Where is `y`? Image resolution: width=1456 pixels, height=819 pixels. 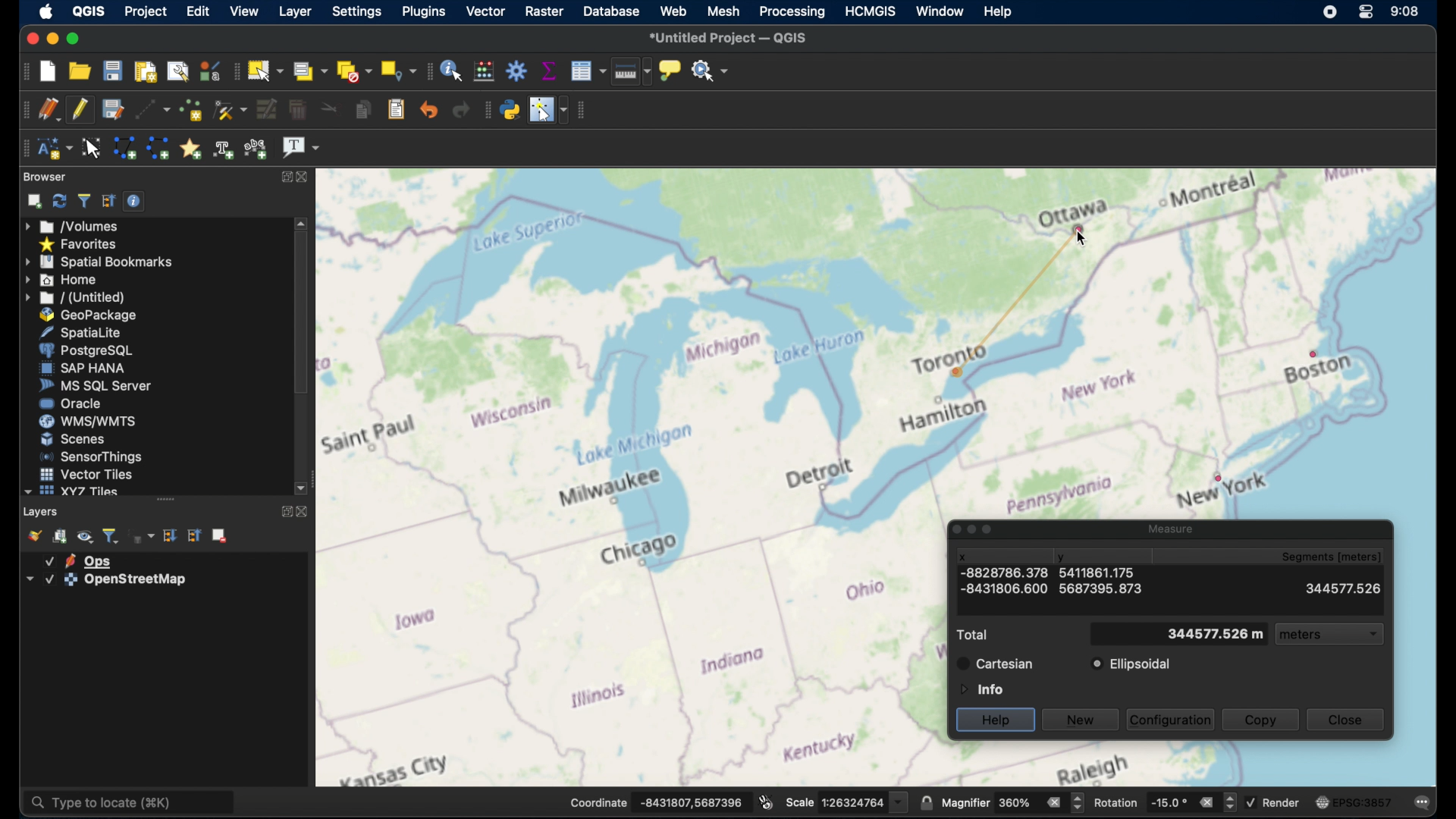 y is located at coordinates (1063, 559).